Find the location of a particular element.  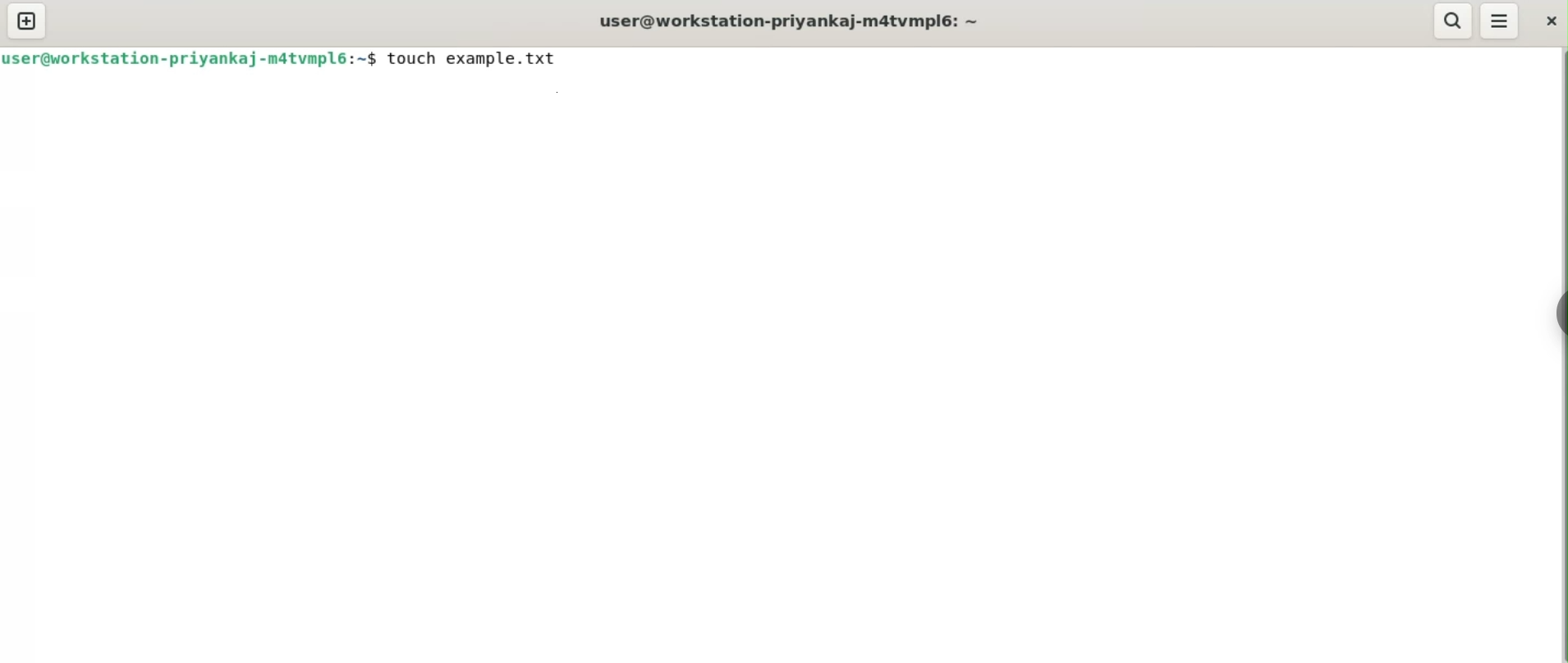

user@workstation-priyankaj-m4tvmpl6: ~$ is located at coordinates (190, 57).